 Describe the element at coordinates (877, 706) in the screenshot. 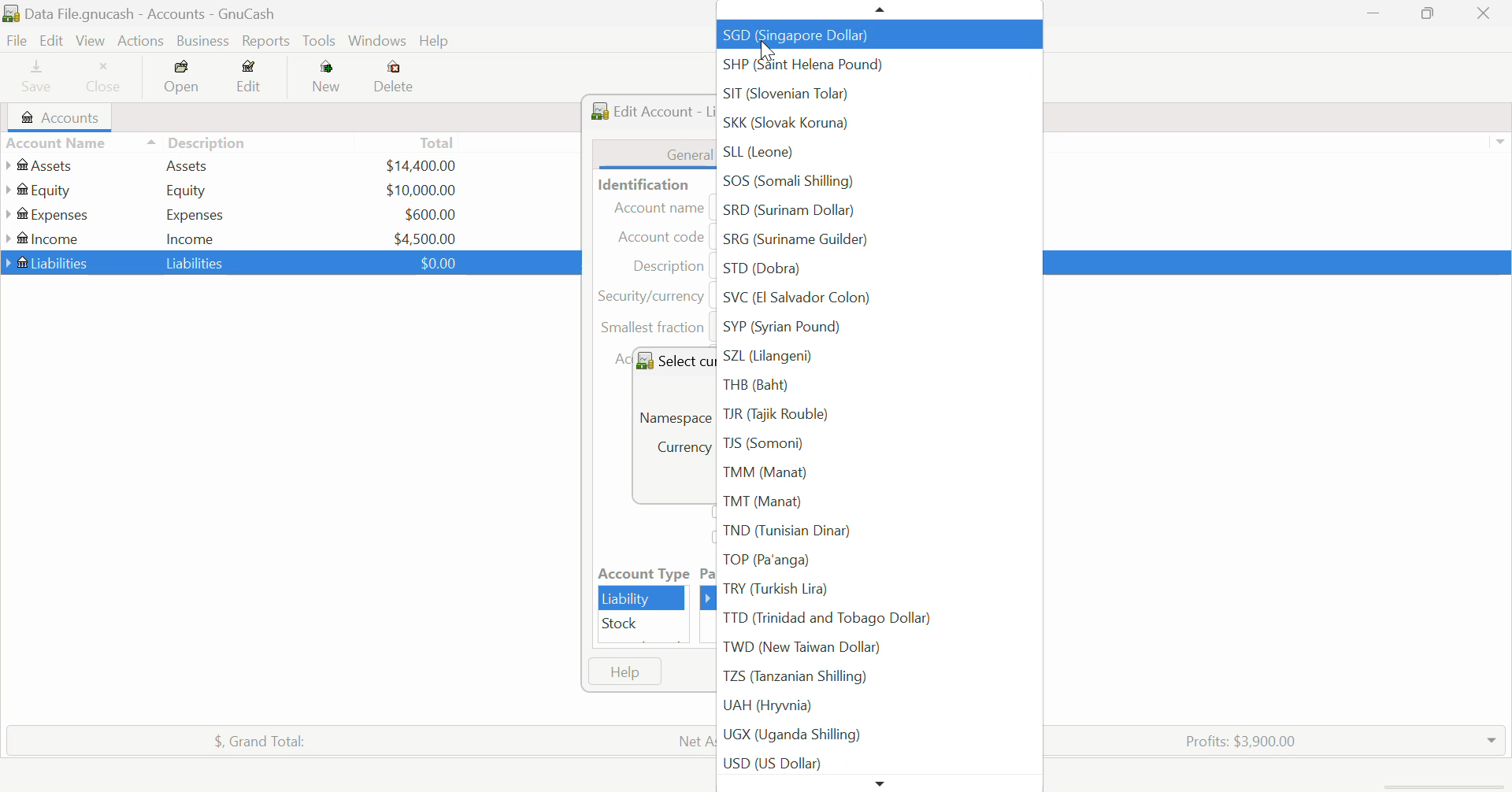

I see `UAH` at that location.